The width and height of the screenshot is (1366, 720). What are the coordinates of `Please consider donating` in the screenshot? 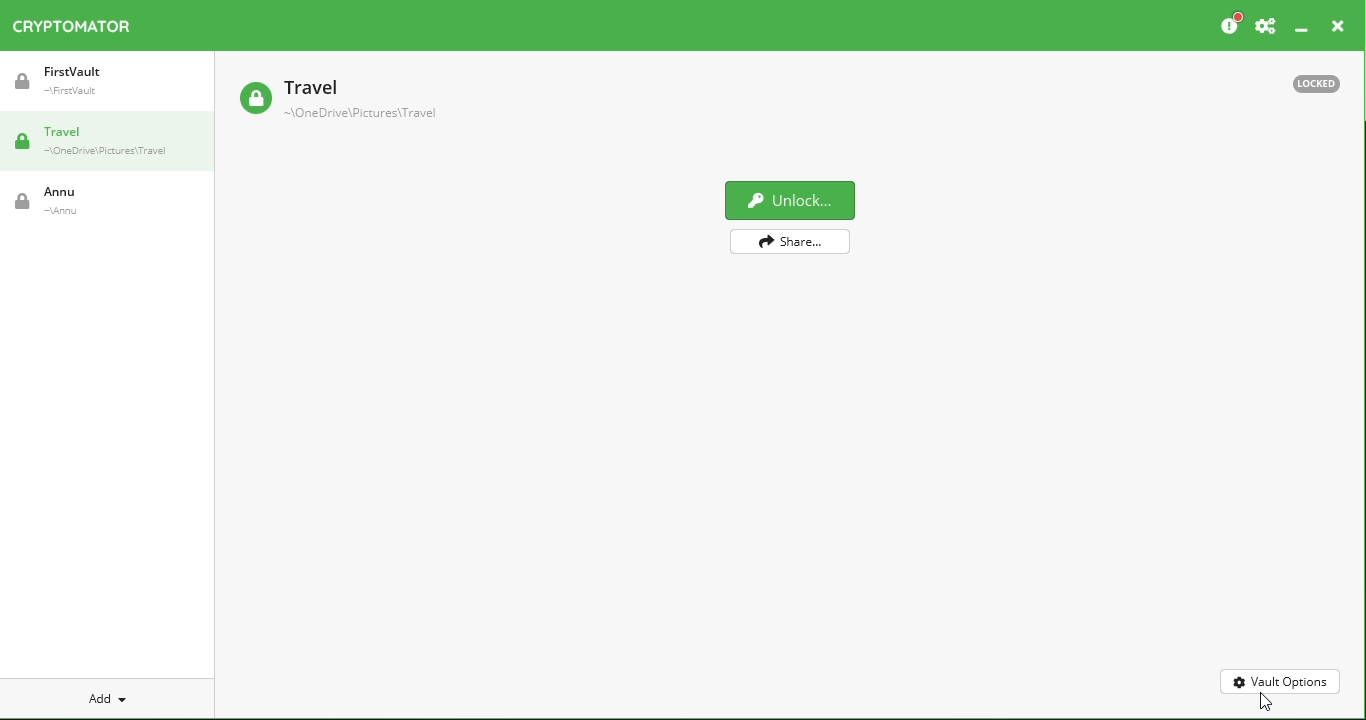 It's located at (1229, 23).